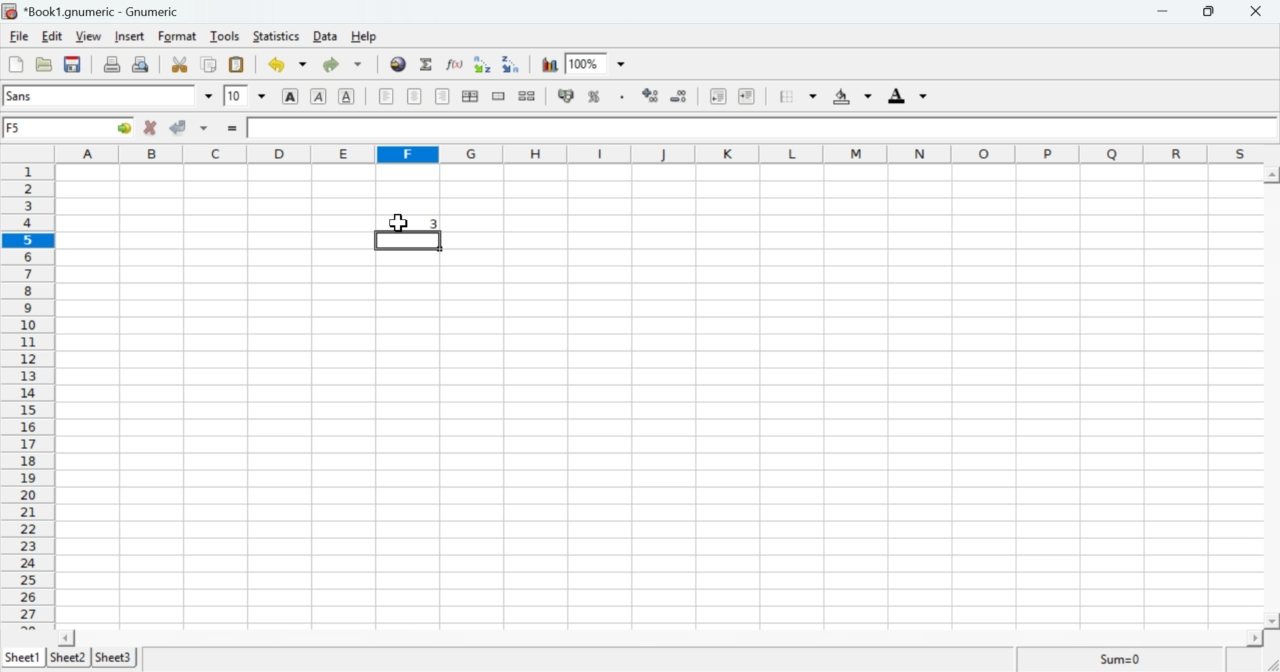 The height and width of the screenshot is (672, 1280). Describe the element at coordinates (131, 37) in the screenshot. I see `Insert` at that location.